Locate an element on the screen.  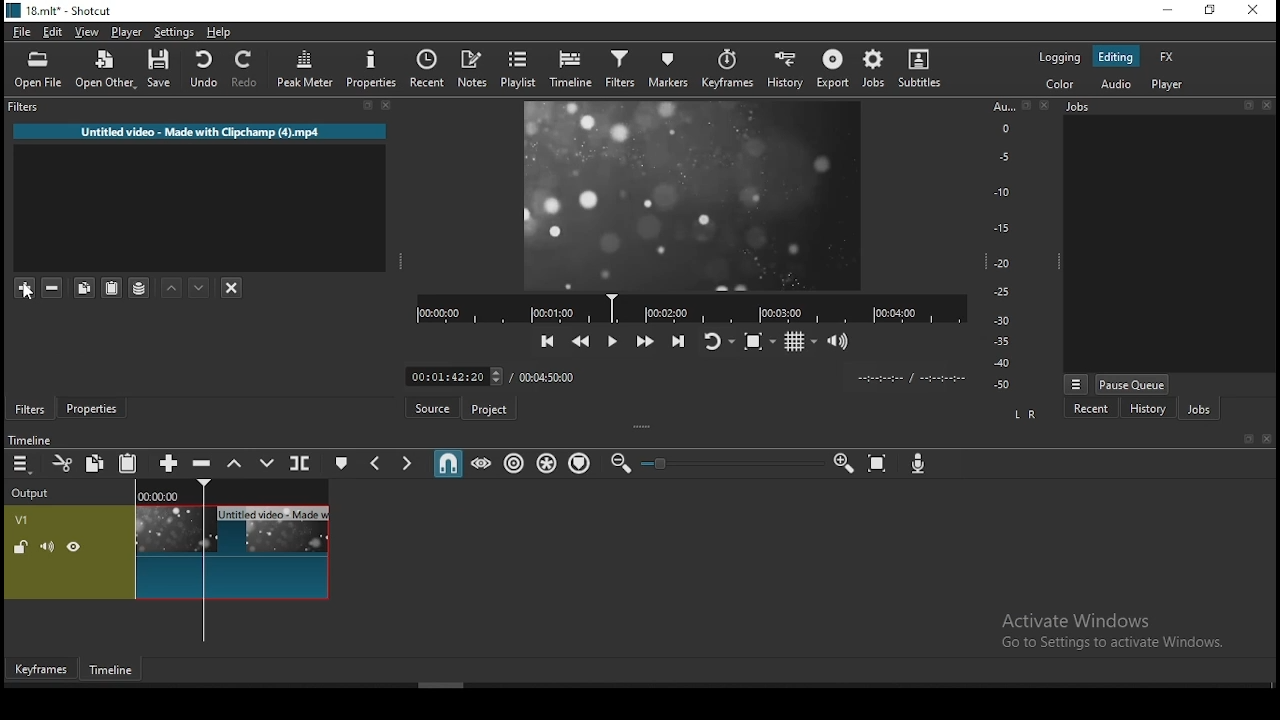
previous marker is located at coordinates (378, 461).